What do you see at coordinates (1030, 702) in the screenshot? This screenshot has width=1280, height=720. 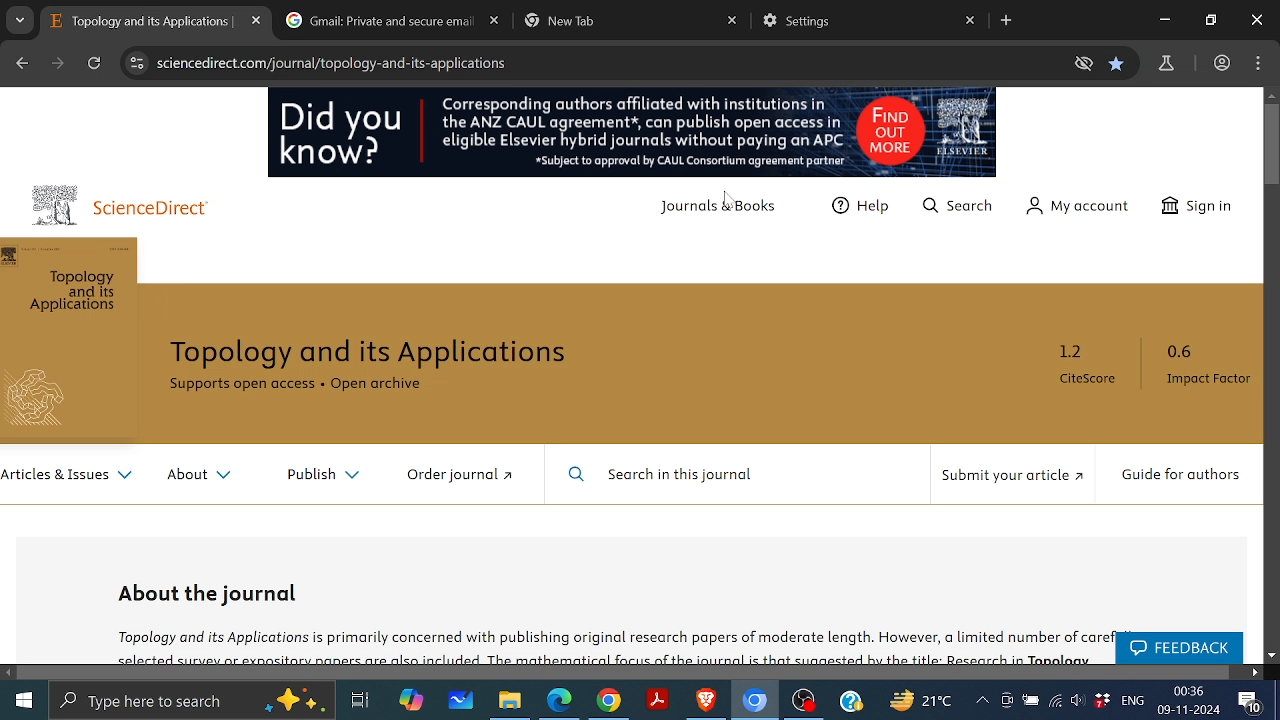 I see `battery` at bounding box center [1030, 702].